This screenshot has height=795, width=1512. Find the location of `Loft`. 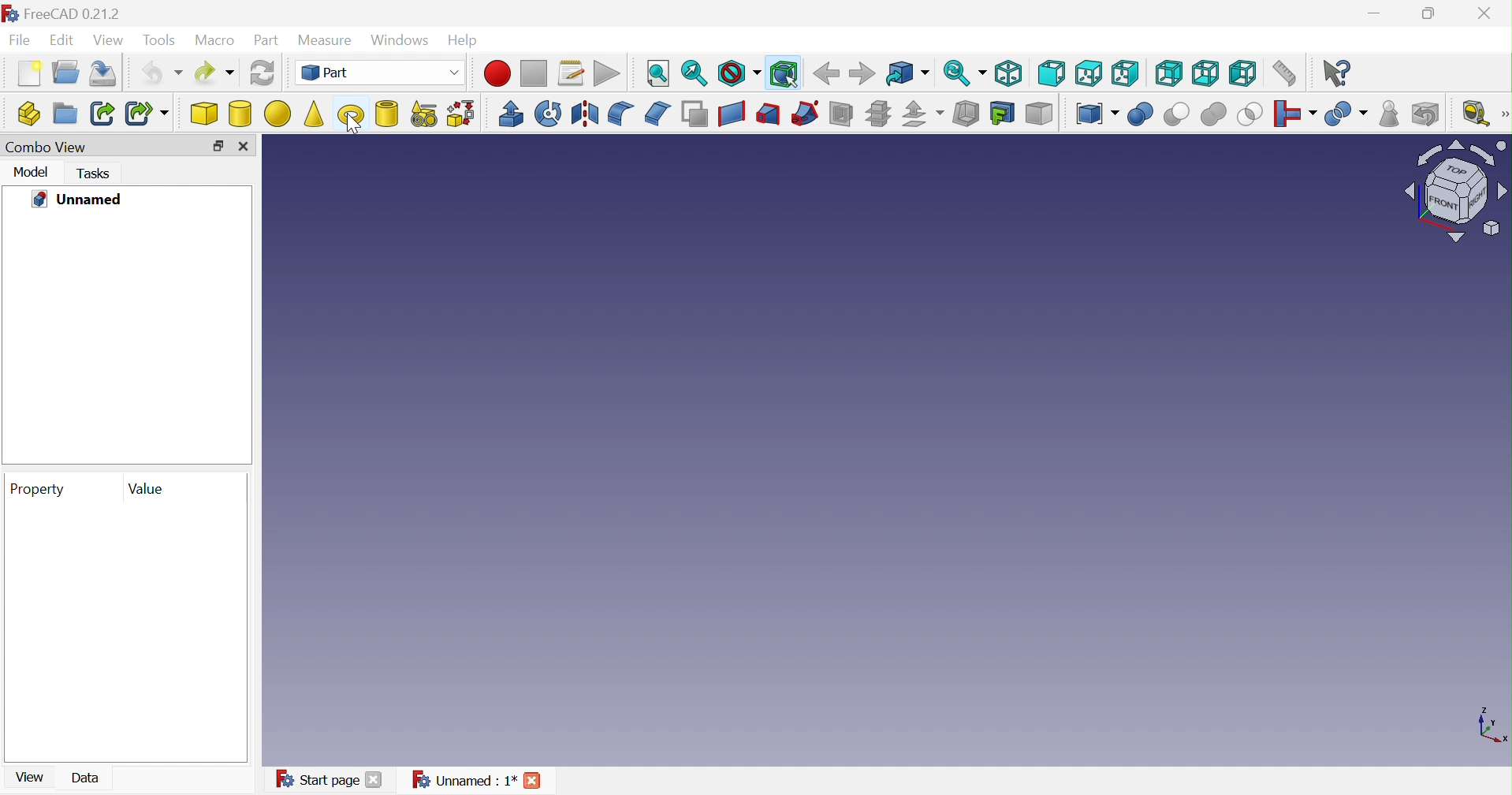

Loft is located at coordinates (769, 114).